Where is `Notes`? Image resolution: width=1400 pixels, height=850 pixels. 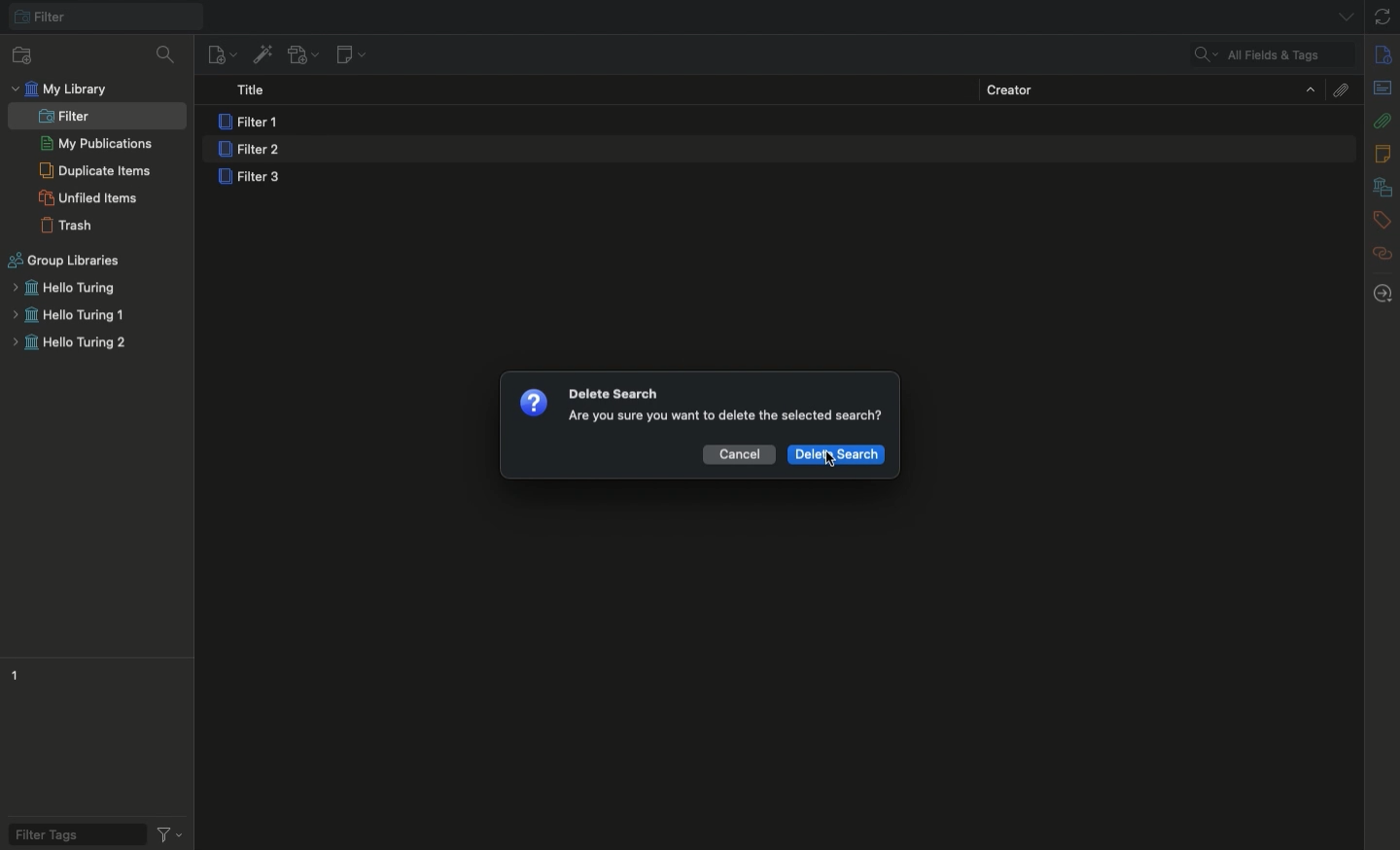
Notes is located at coordinates (1385, 154).